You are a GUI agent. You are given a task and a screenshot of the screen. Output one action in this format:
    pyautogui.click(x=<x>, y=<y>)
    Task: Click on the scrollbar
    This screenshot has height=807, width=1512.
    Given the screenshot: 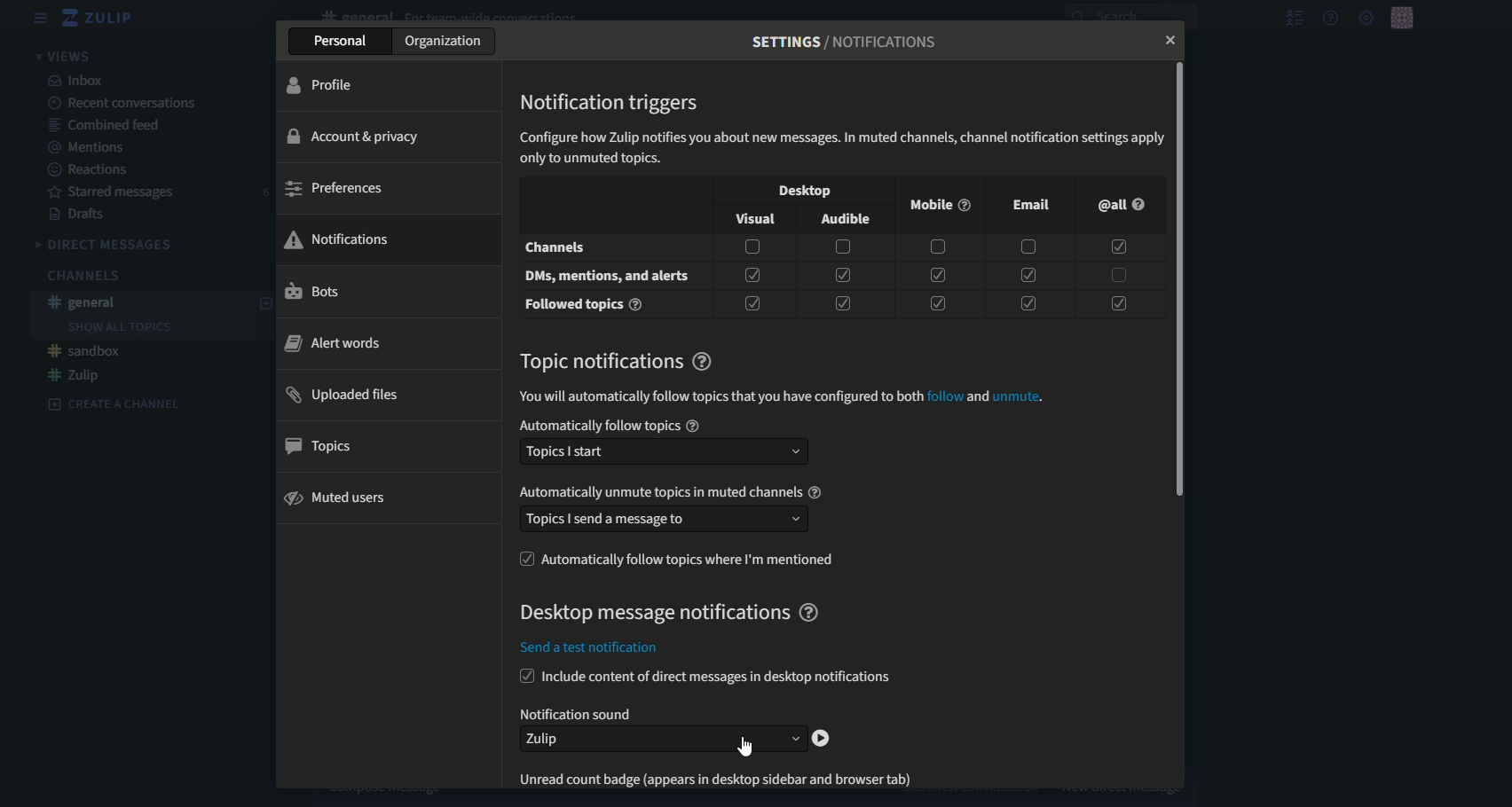 What is the action you would take?
    pyautogui.click(x=1179, y=278)
    